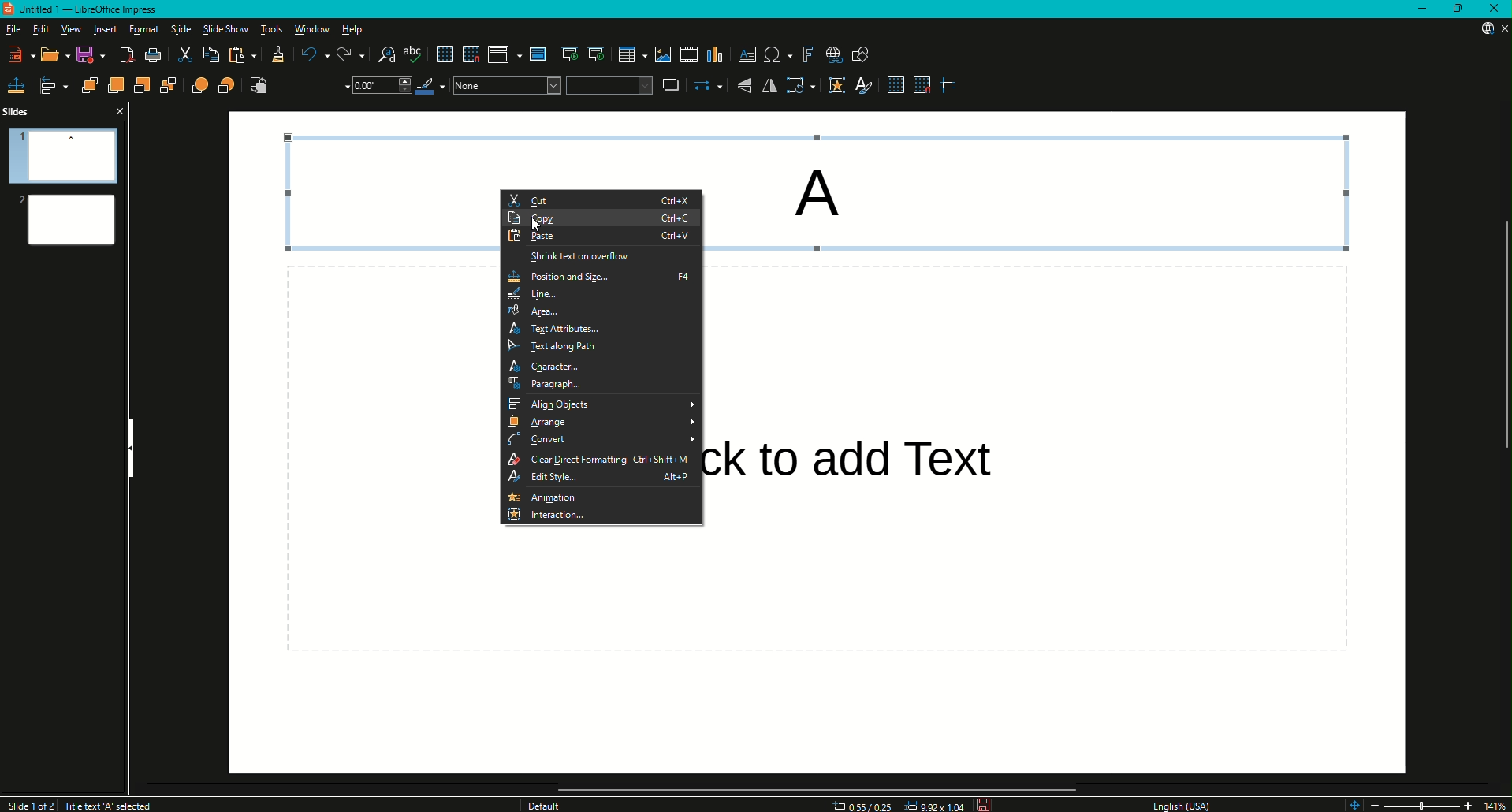 The height and width of the screenshot is (812, 1512). What do you see at coordinates (277, 55) in the screenshot?
I see `Clone Formatting` at bounding box center [277, 55].